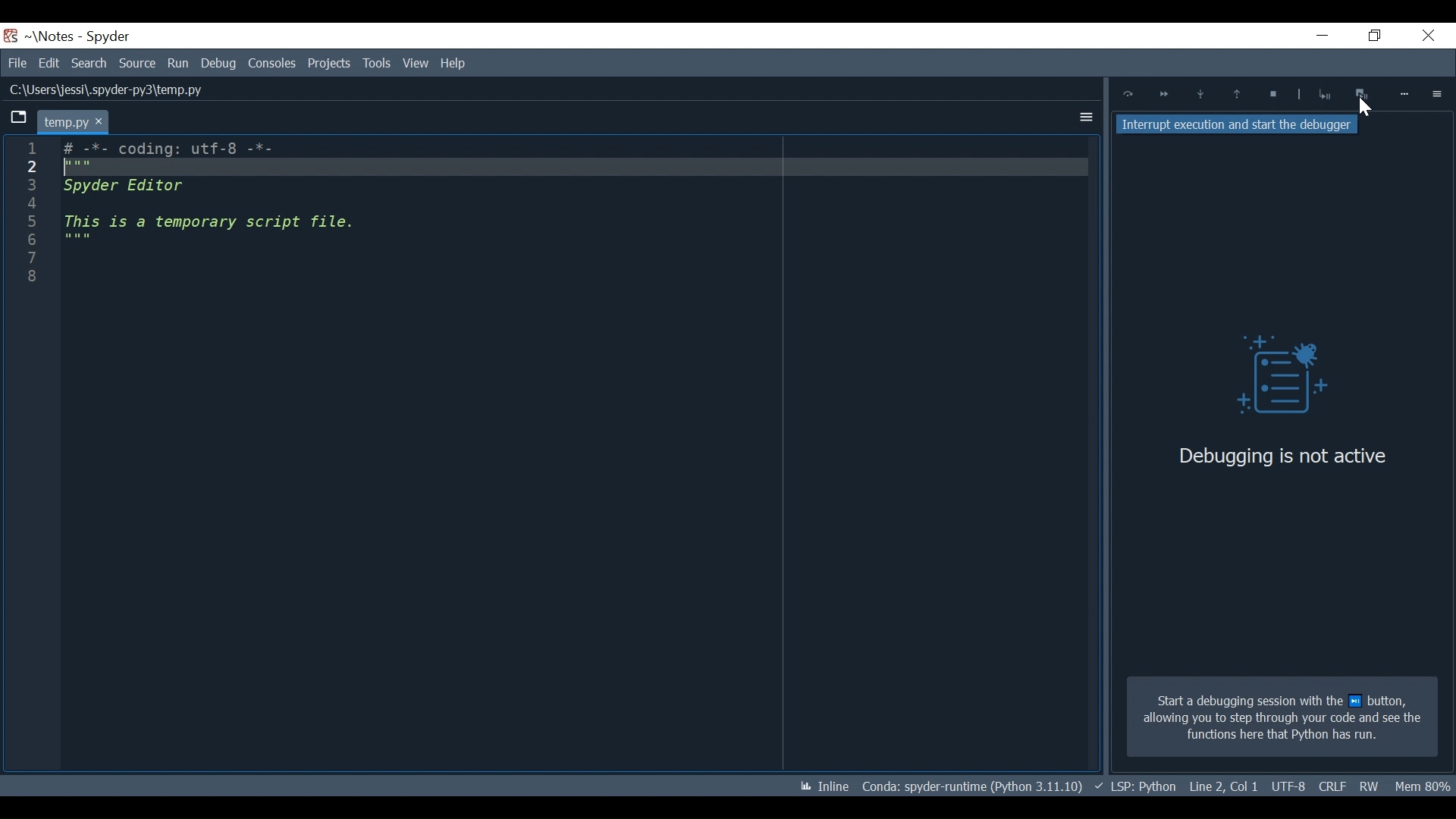 Image resolution: width=1456 pixels, height=819 pixels. What do you see at coordinates (271, 63) in the screenshot?
I see `Consoles` at bounding box center [271, 63].